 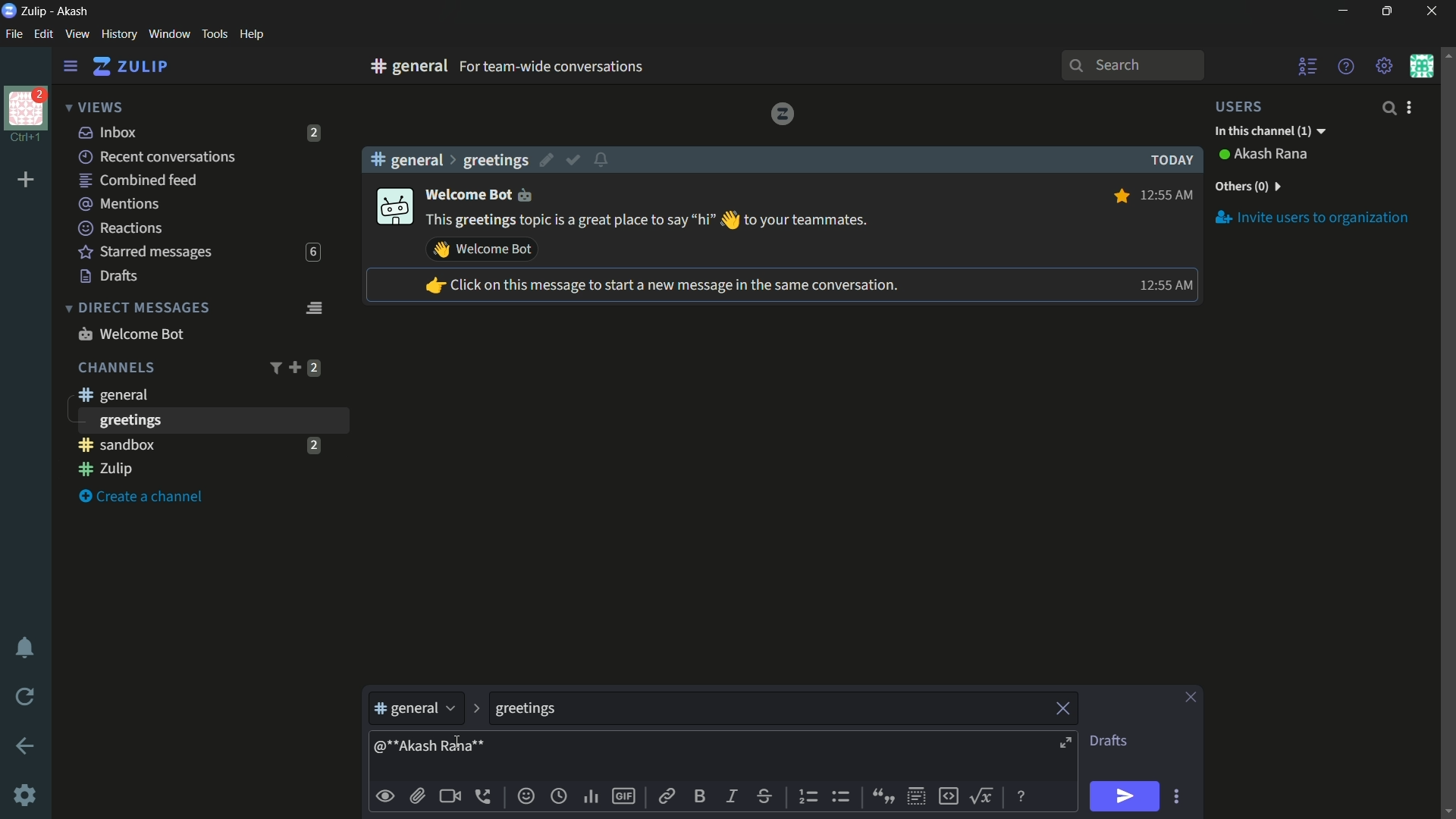 What do you see at coordinates (294, 367) in the screenshot?
I see `add channel` at bounding box center [294, 367].